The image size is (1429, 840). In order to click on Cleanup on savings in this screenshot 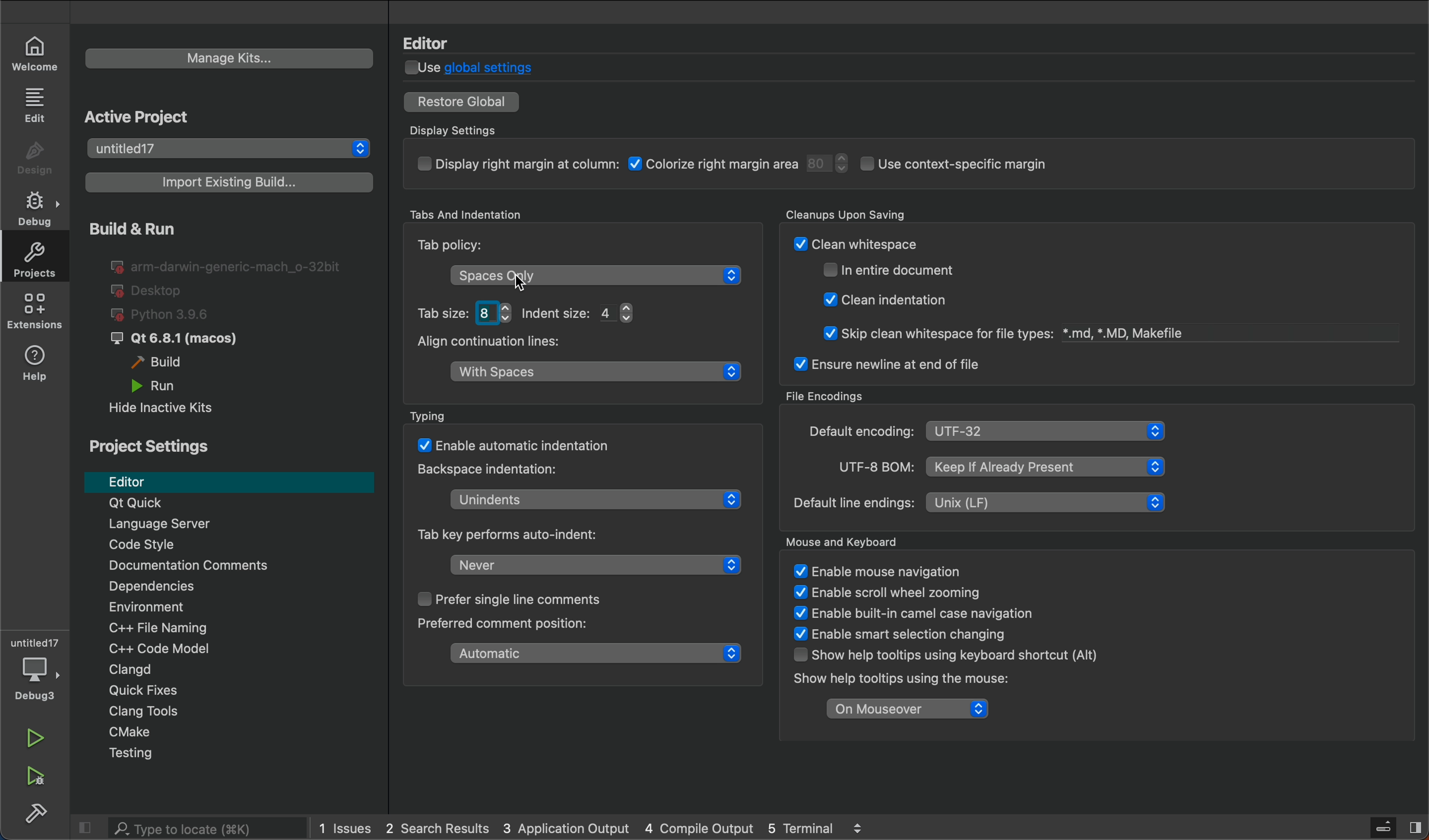, I will do `click(1092, 243)`.